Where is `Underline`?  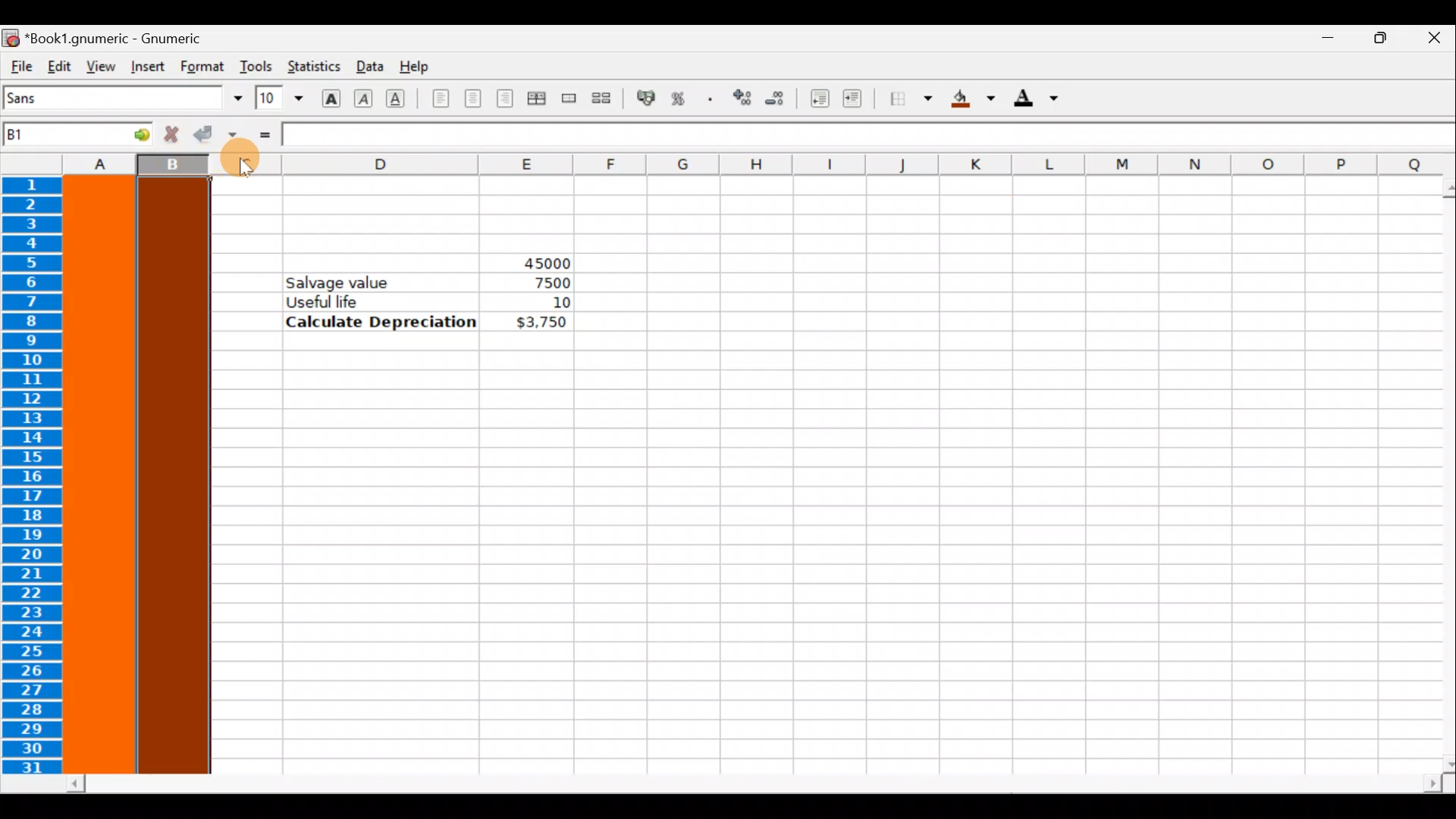 Underline is located at coordinates (402, 99).